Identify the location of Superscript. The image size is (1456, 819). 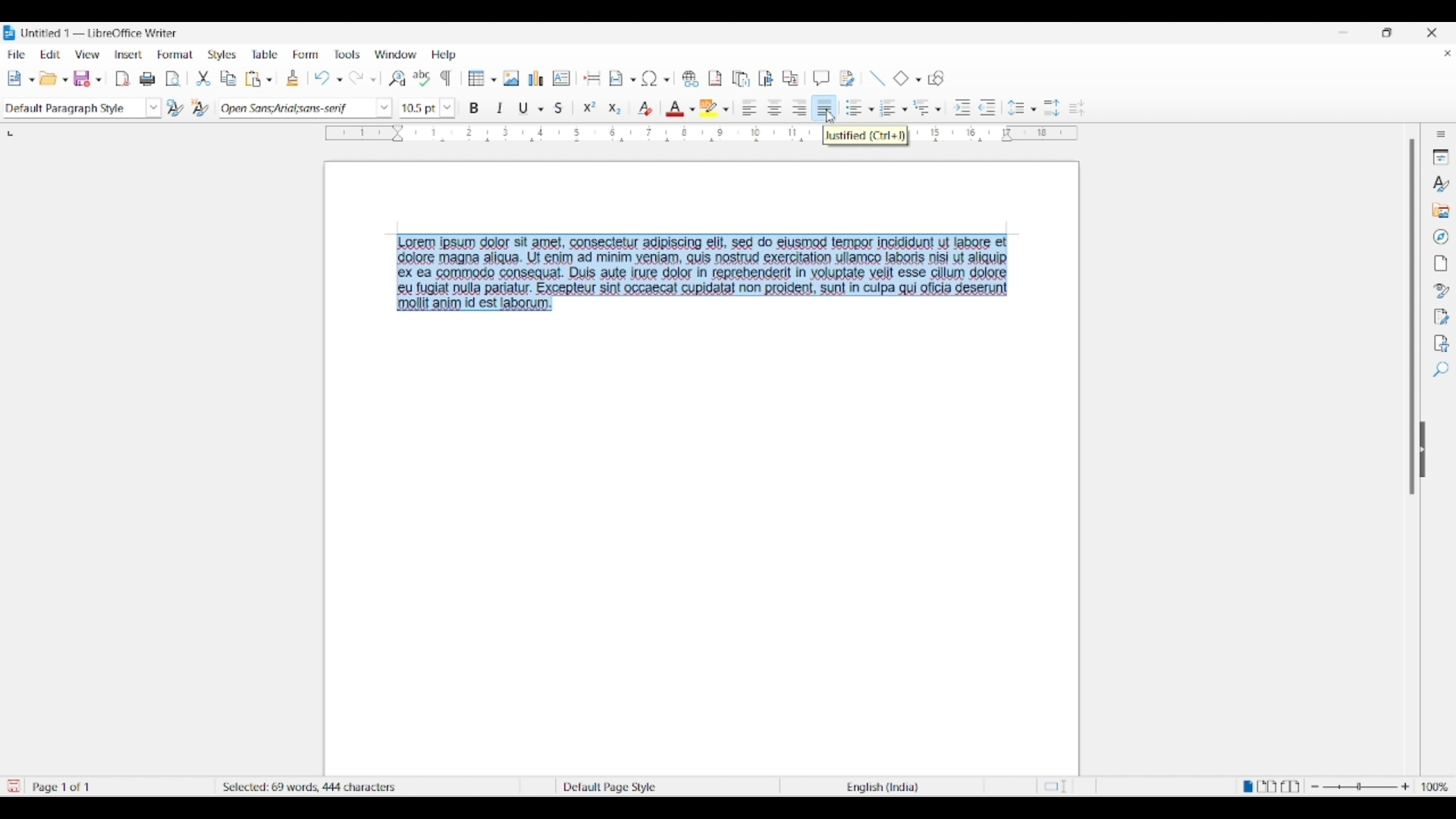
(589, 108).